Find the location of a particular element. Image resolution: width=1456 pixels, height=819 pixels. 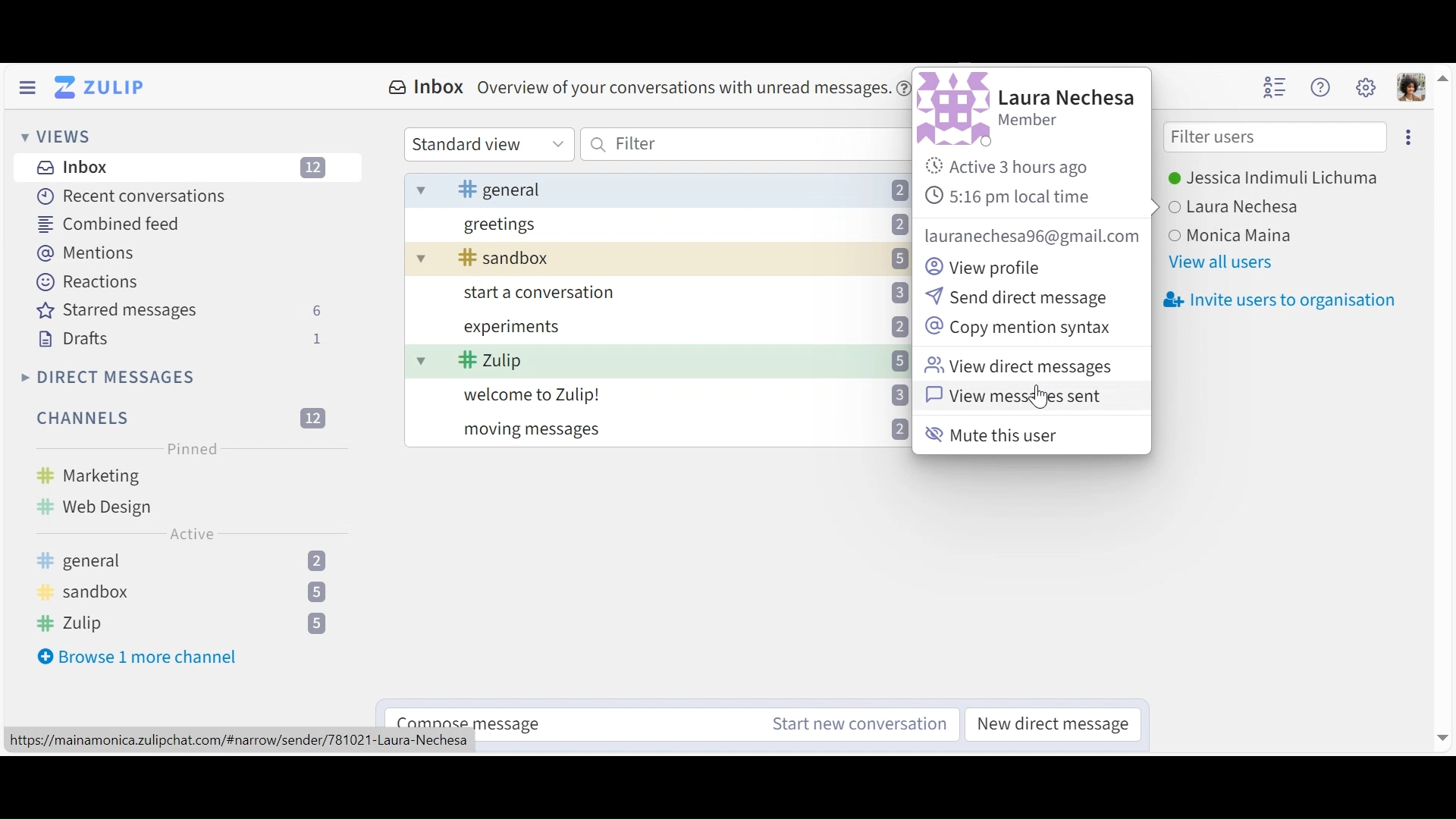

sandbox is located at coordinates (182, 593).